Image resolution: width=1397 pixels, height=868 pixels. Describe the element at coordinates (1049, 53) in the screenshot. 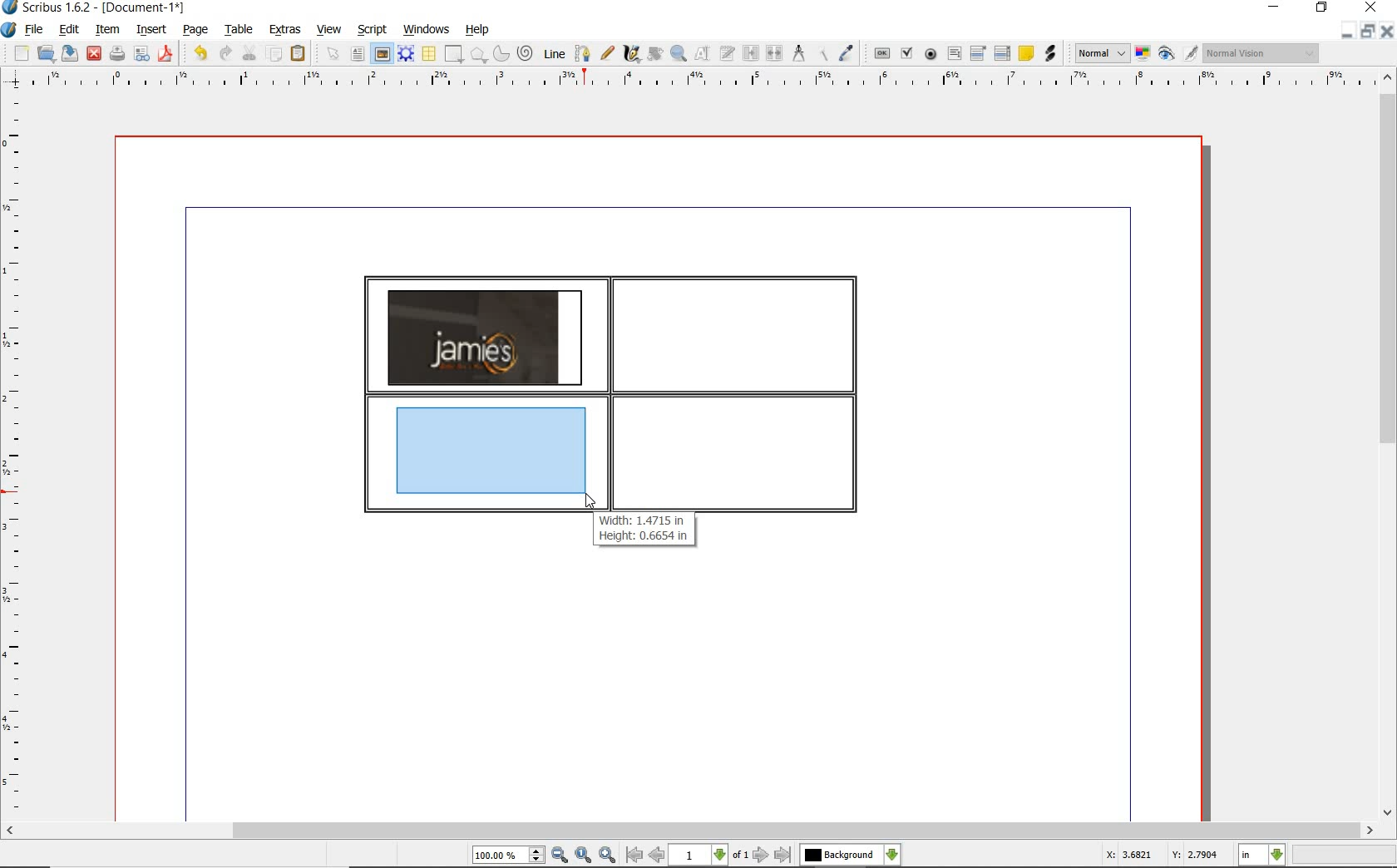

I see `link annotation` at that location.